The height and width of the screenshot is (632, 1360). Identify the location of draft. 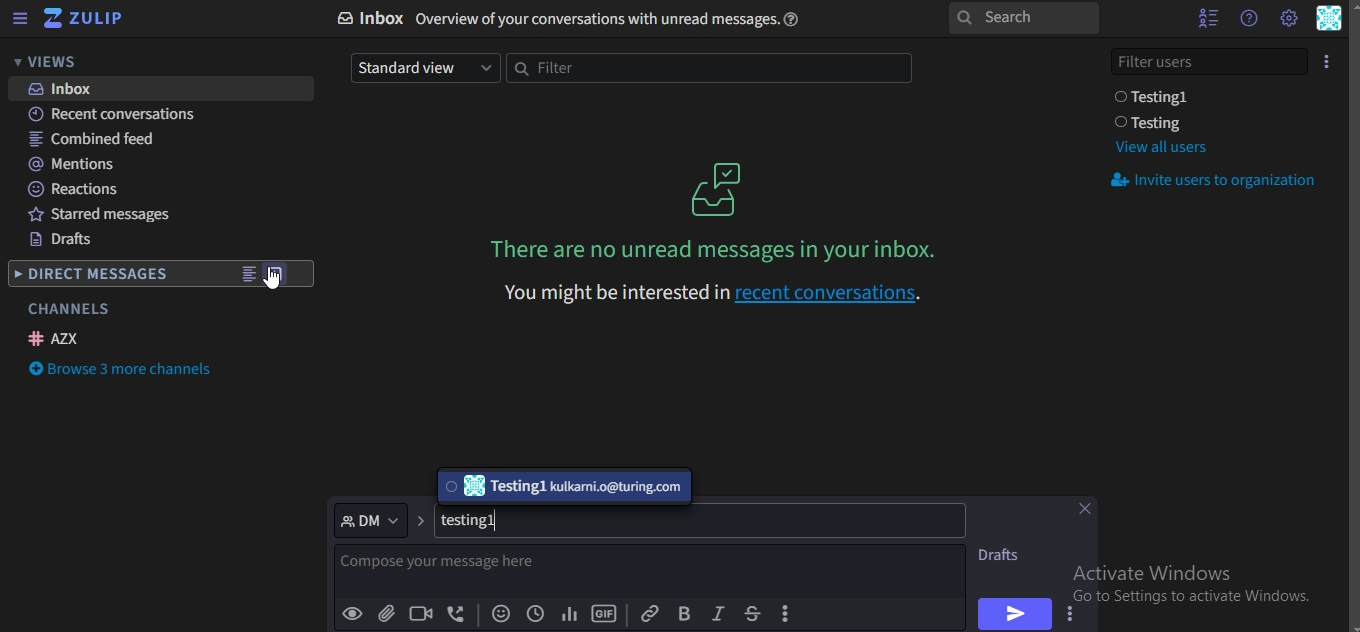
(1005, 555).